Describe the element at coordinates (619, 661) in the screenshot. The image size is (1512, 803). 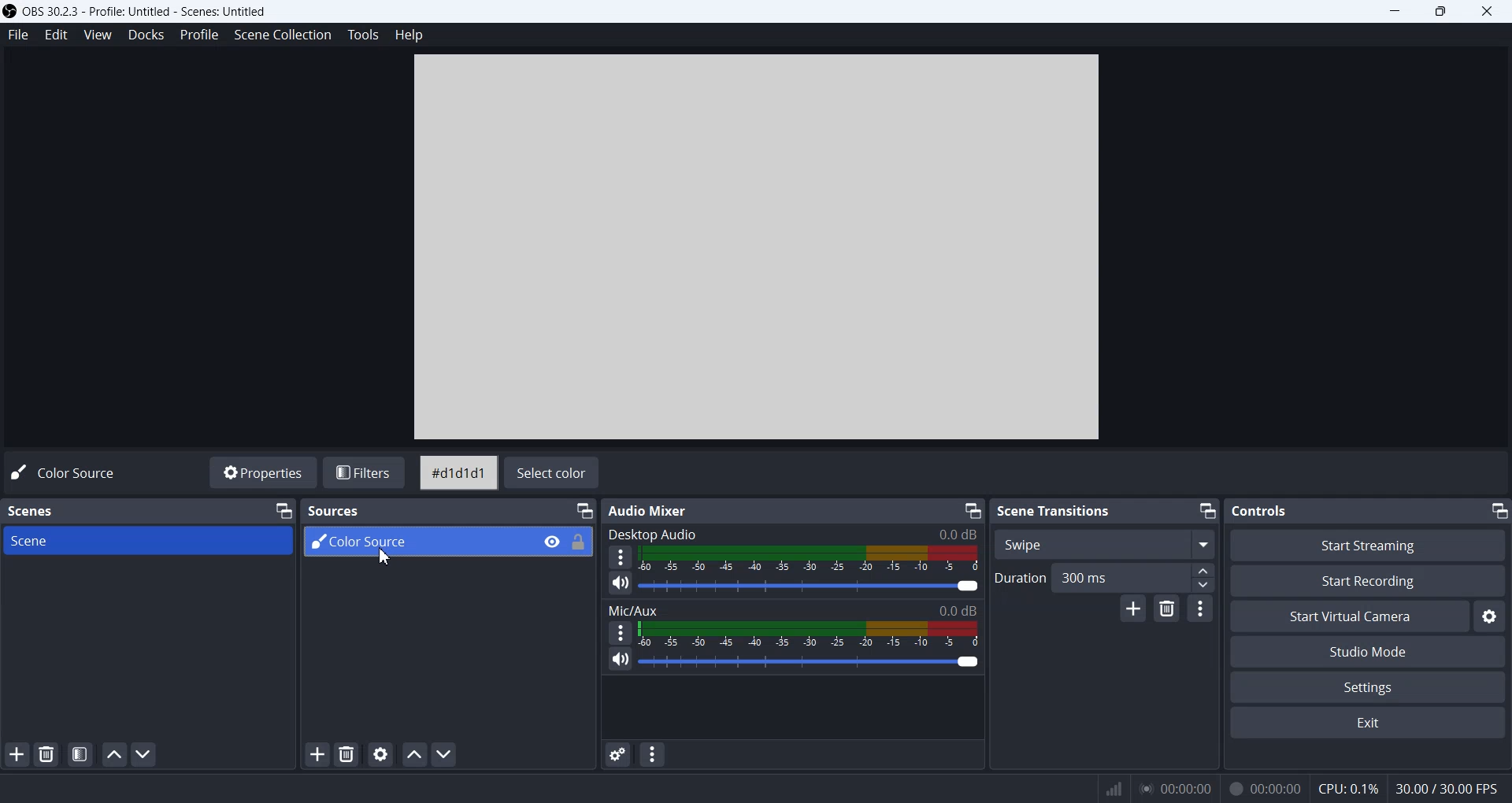
I see `Mute/ Unmute` at that location.